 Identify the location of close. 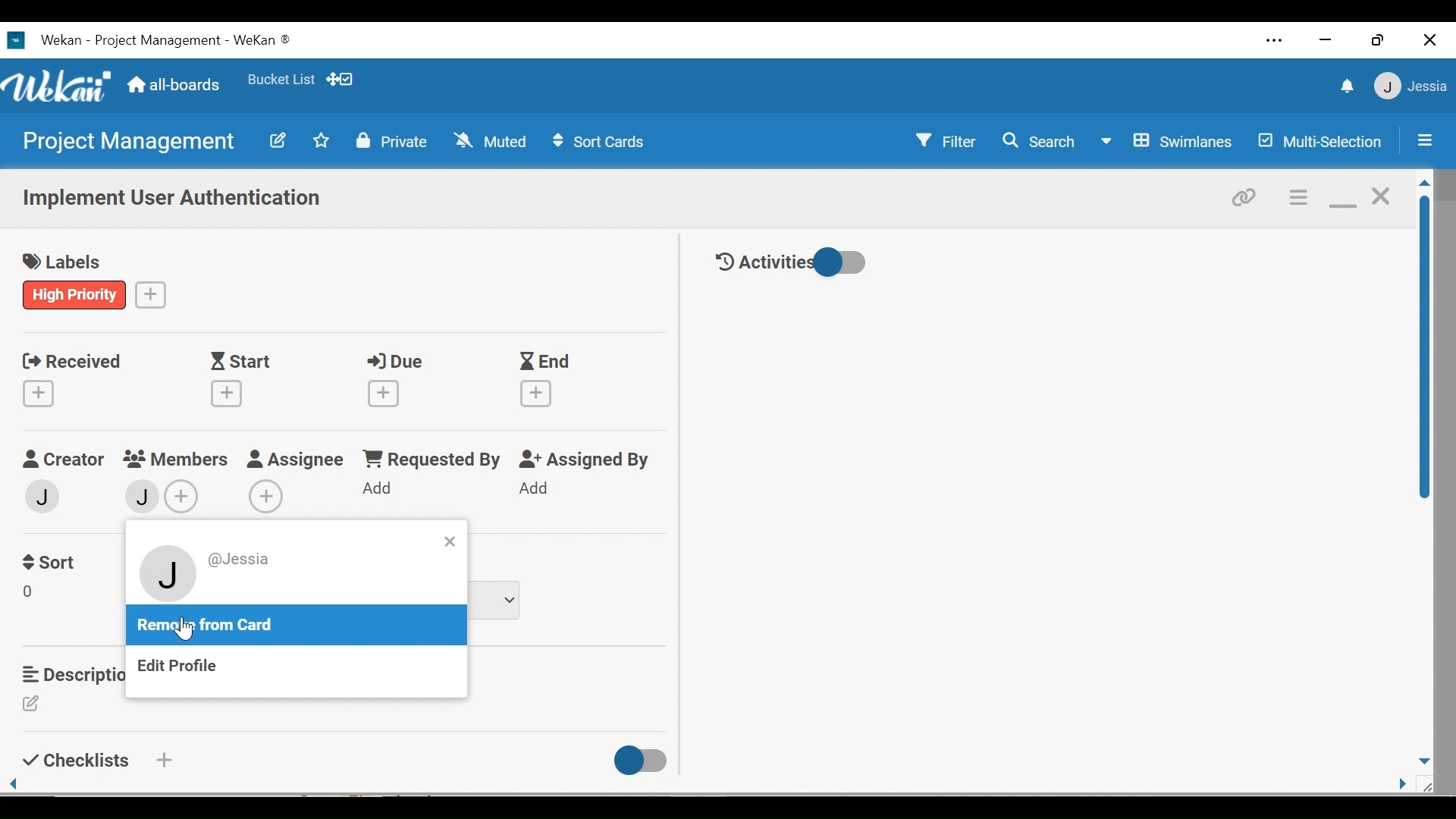
(450, 541).